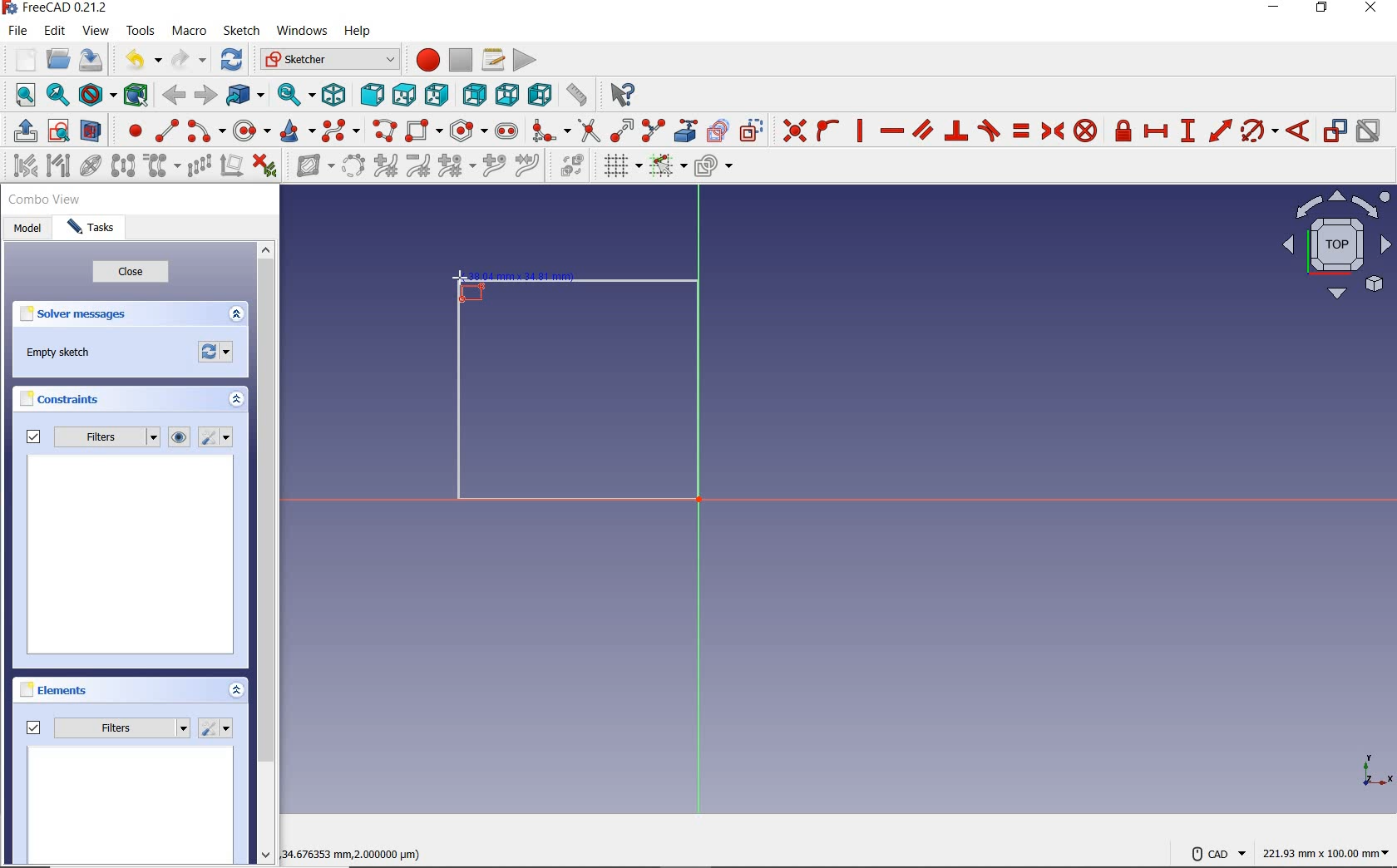  Describe the element at coordinates (1218, 848) in the screenshot. I see `cad` at that location.